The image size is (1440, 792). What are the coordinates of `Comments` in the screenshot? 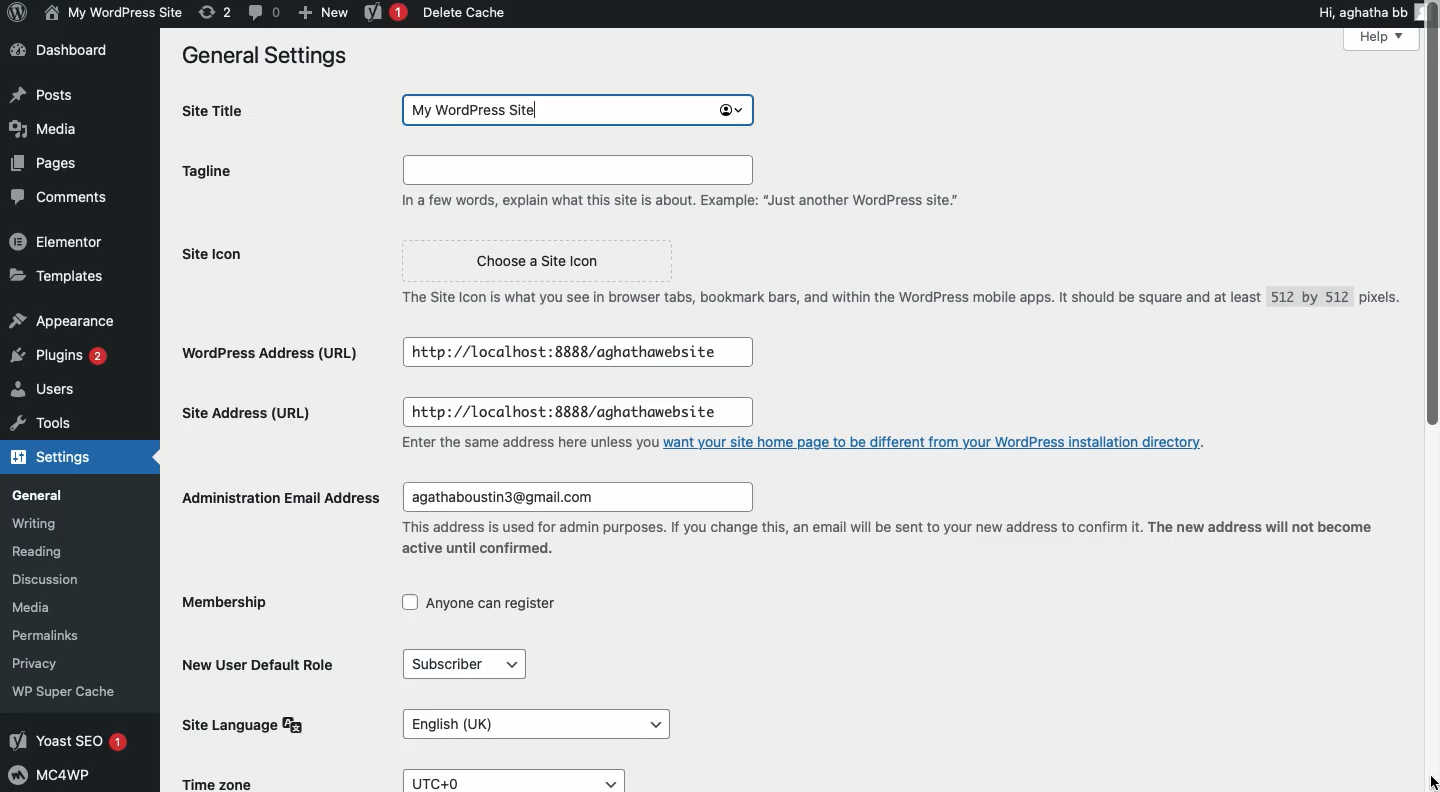 It's located at (55, 199).